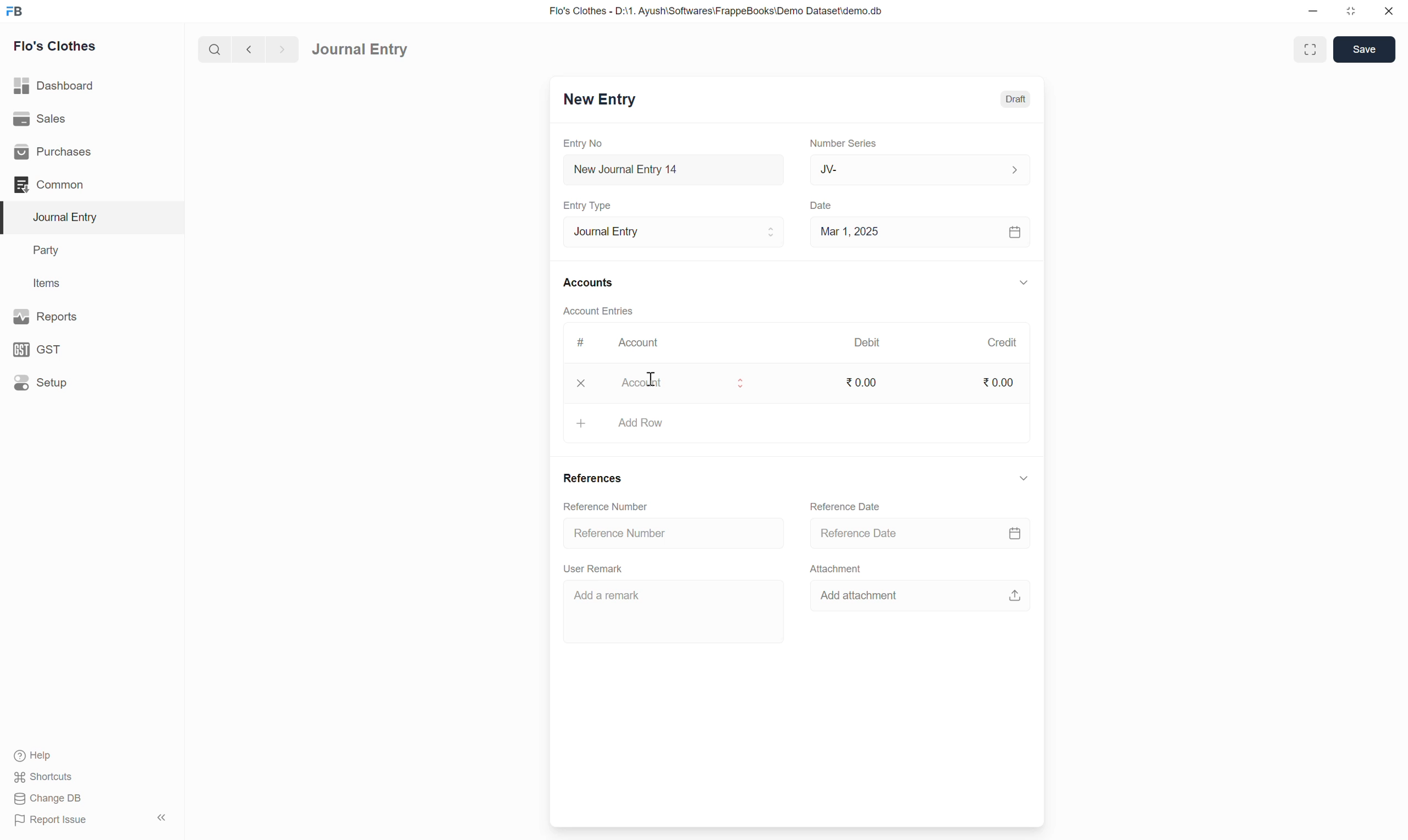 The image size is (1408, 840). I want to click on Reference number, so click(645, 534).